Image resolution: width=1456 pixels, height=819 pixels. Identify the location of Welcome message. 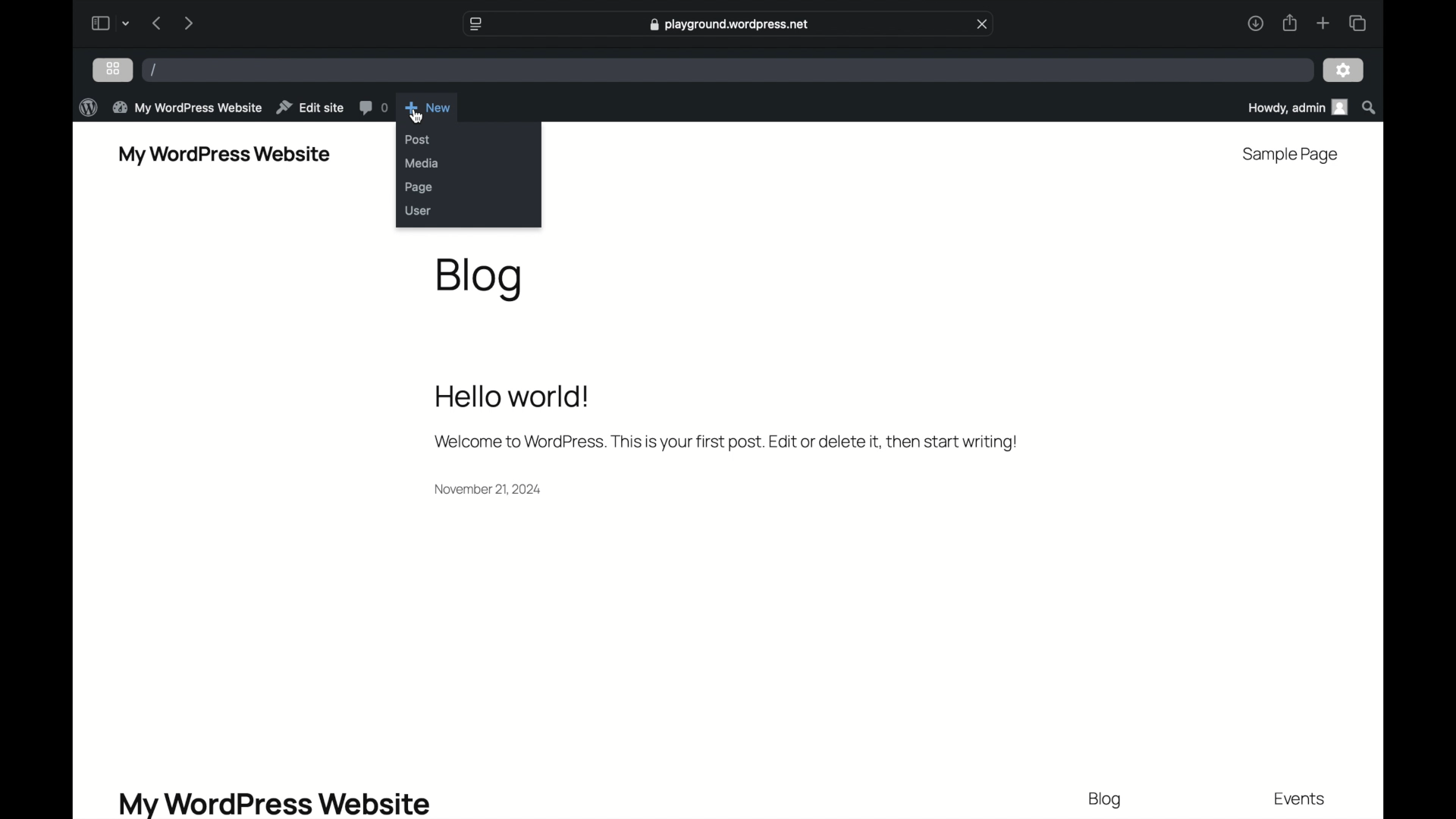
(724, 442).